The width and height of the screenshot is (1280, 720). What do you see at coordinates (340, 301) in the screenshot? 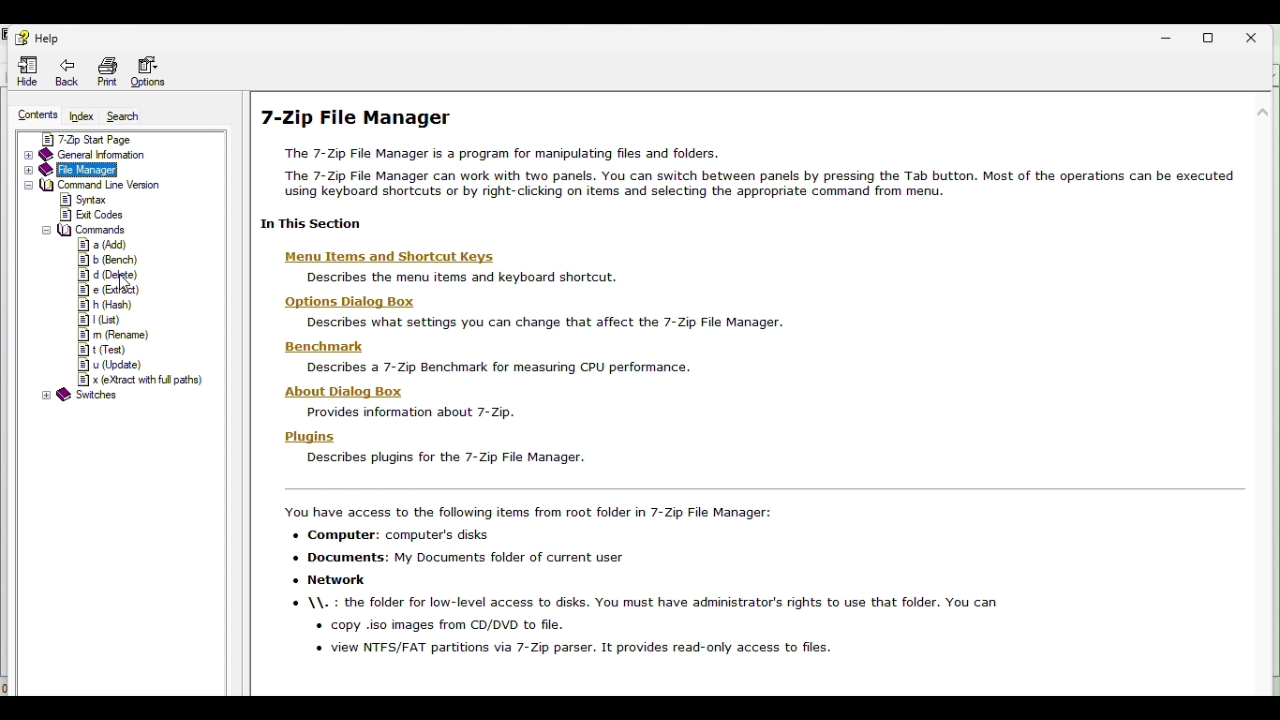
I see `Hons Dia` at bounding box center [340, 301].